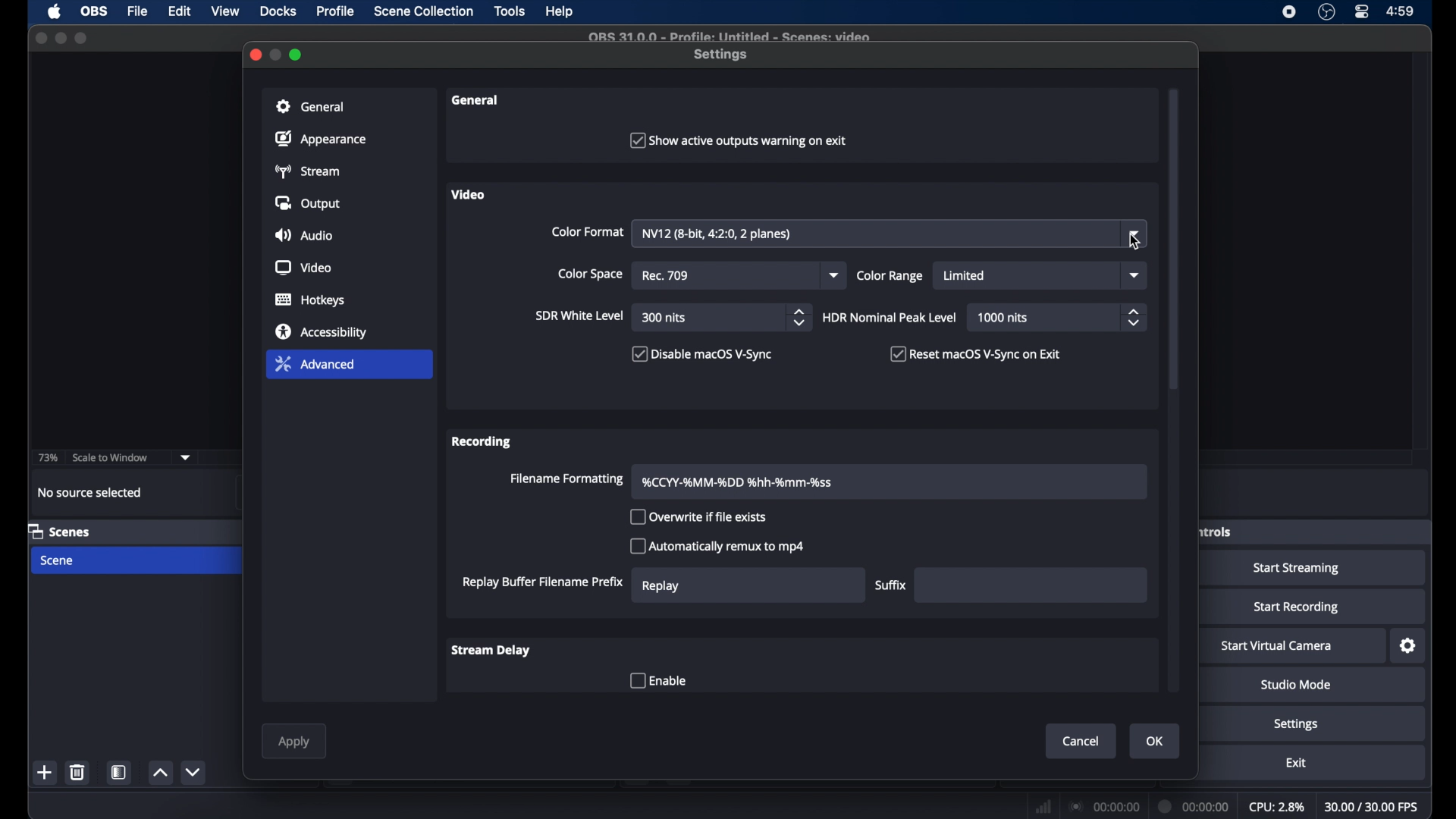 This screenshot has width=1456, height=819. What do you see at coordinates (669, 276) in the screenshot?
I see `rec 709` at bounding box center [669, 276].